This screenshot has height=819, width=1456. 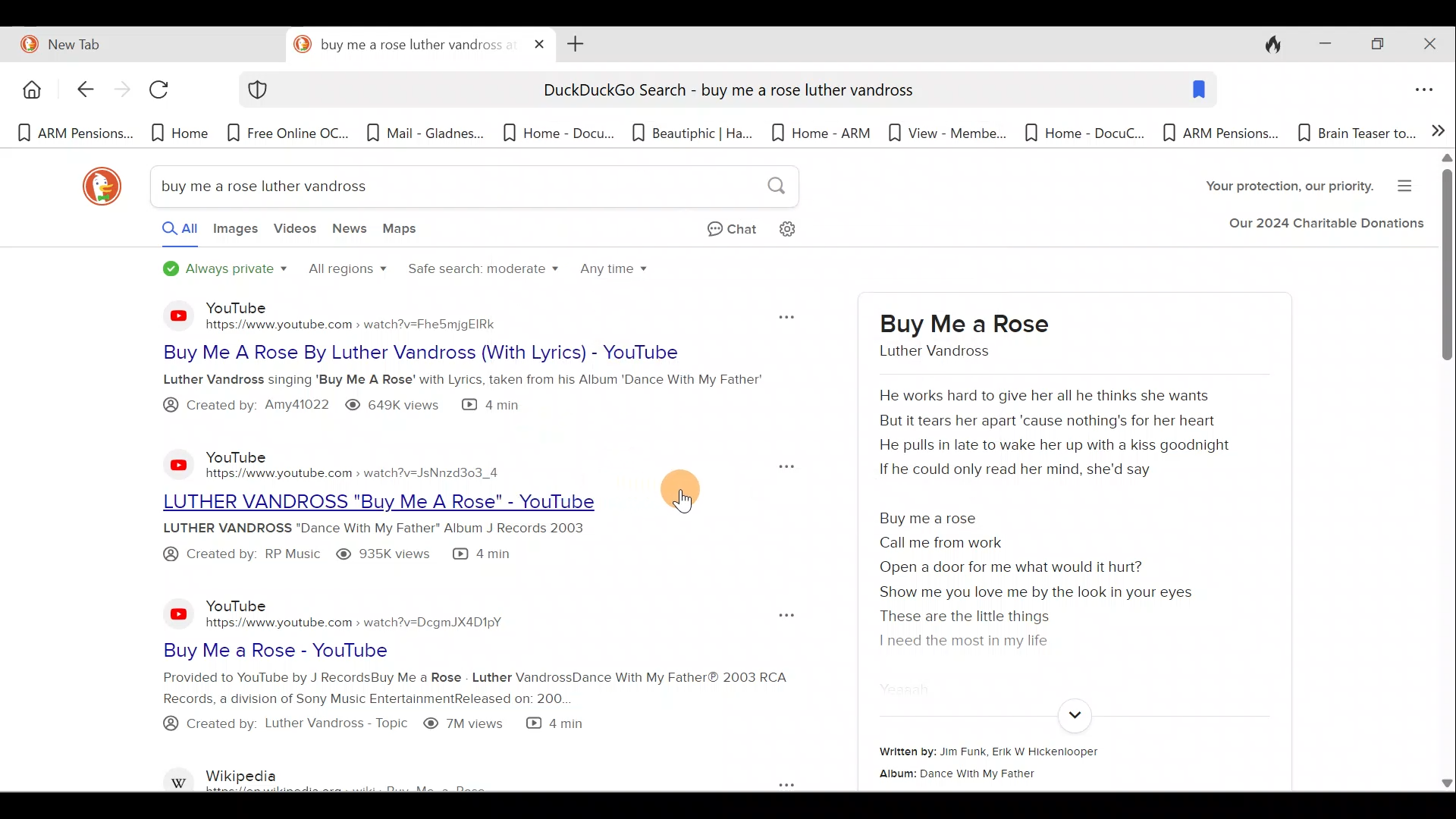 What do you see at coordinates (480, 275) in the screenshot?
I see `Safe search: moderate` at bounding box center [480, 275].